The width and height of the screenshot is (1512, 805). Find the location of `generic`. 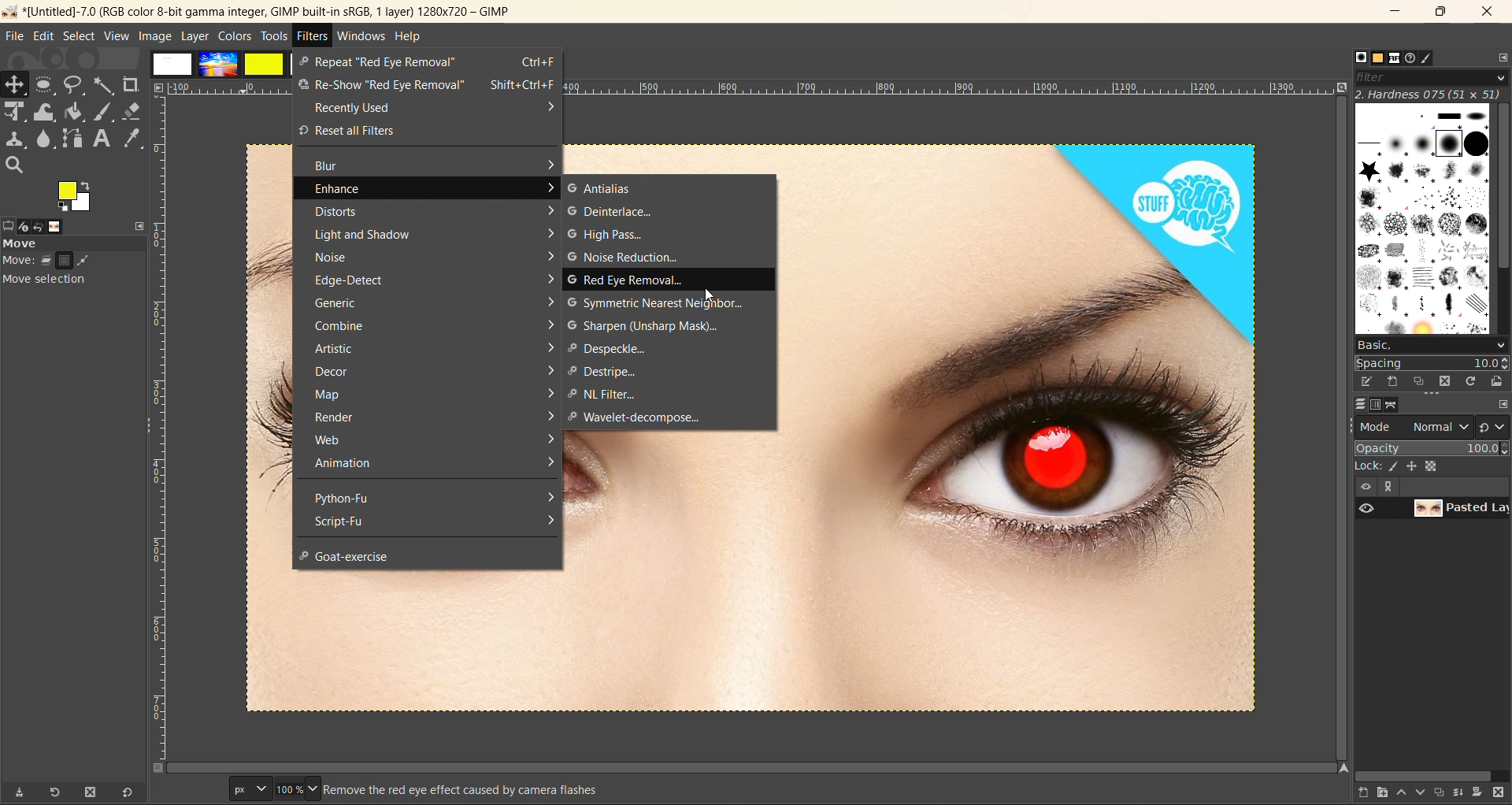

generic is located at coordinates (433, 302).